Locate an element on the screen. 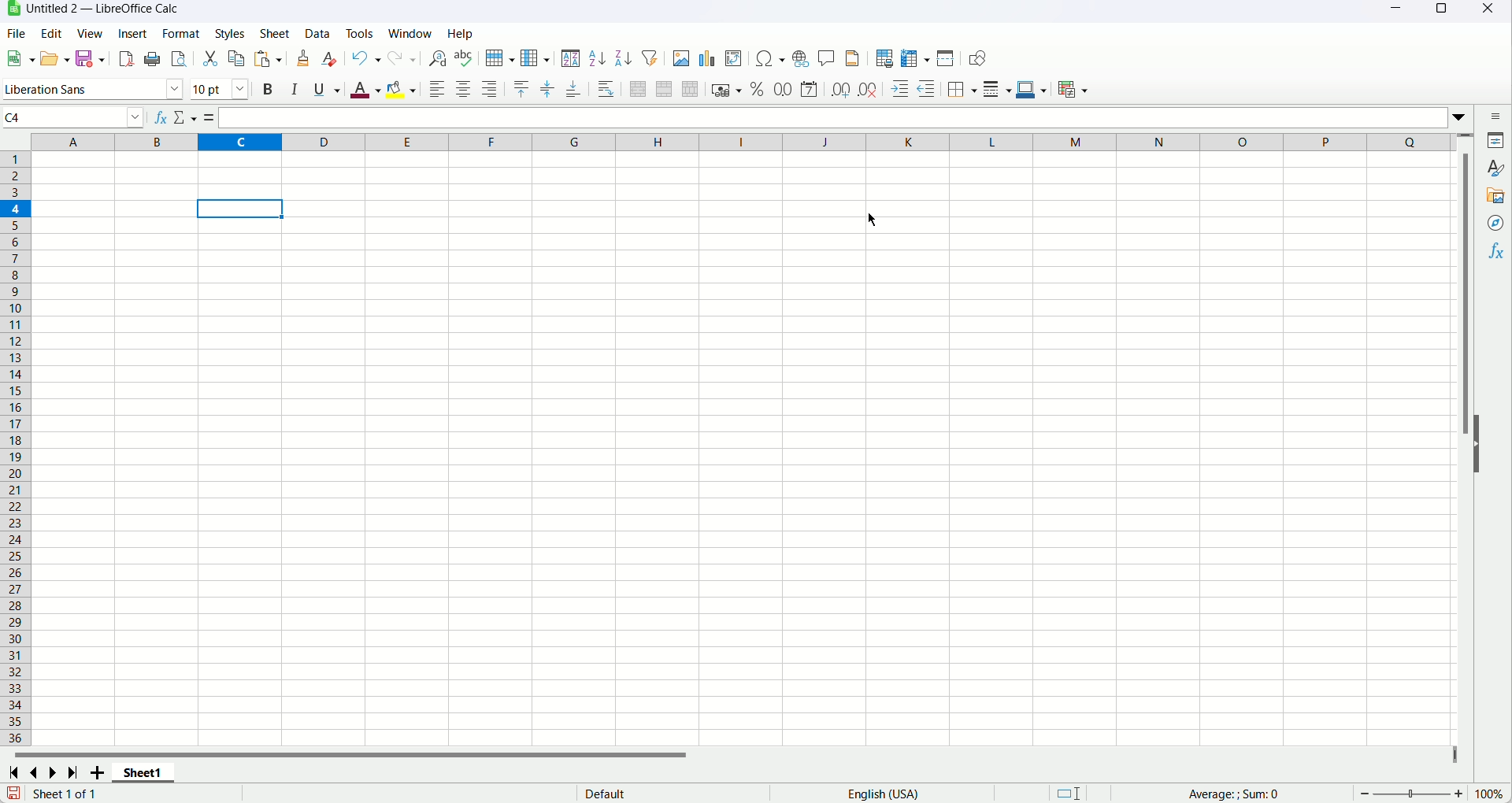 The width and height of the screenshot is (1512, 803). conditional is located at coordinates (1075, 88).